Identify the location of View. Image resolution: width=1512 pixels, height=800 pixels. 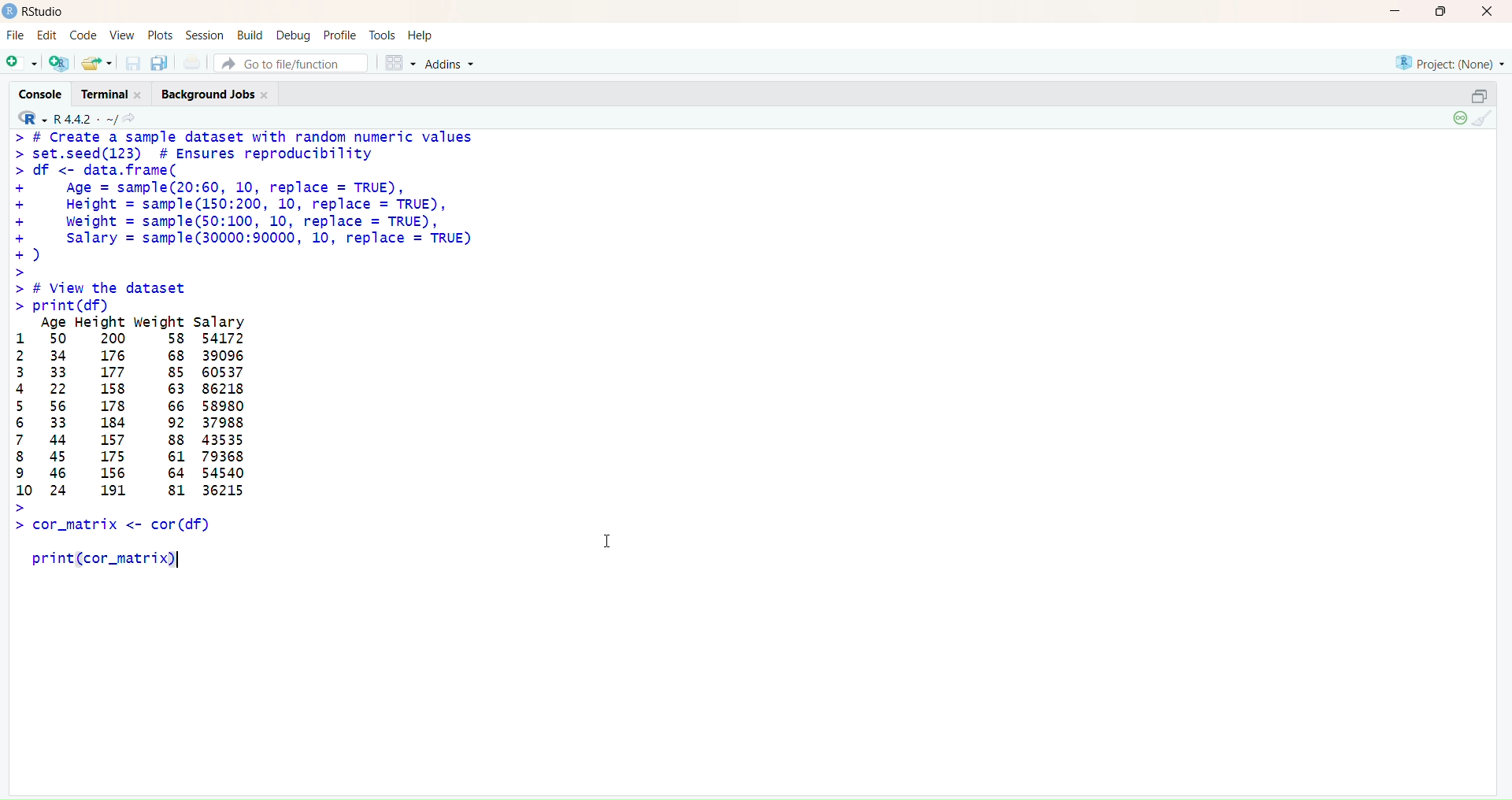
(121, 35).